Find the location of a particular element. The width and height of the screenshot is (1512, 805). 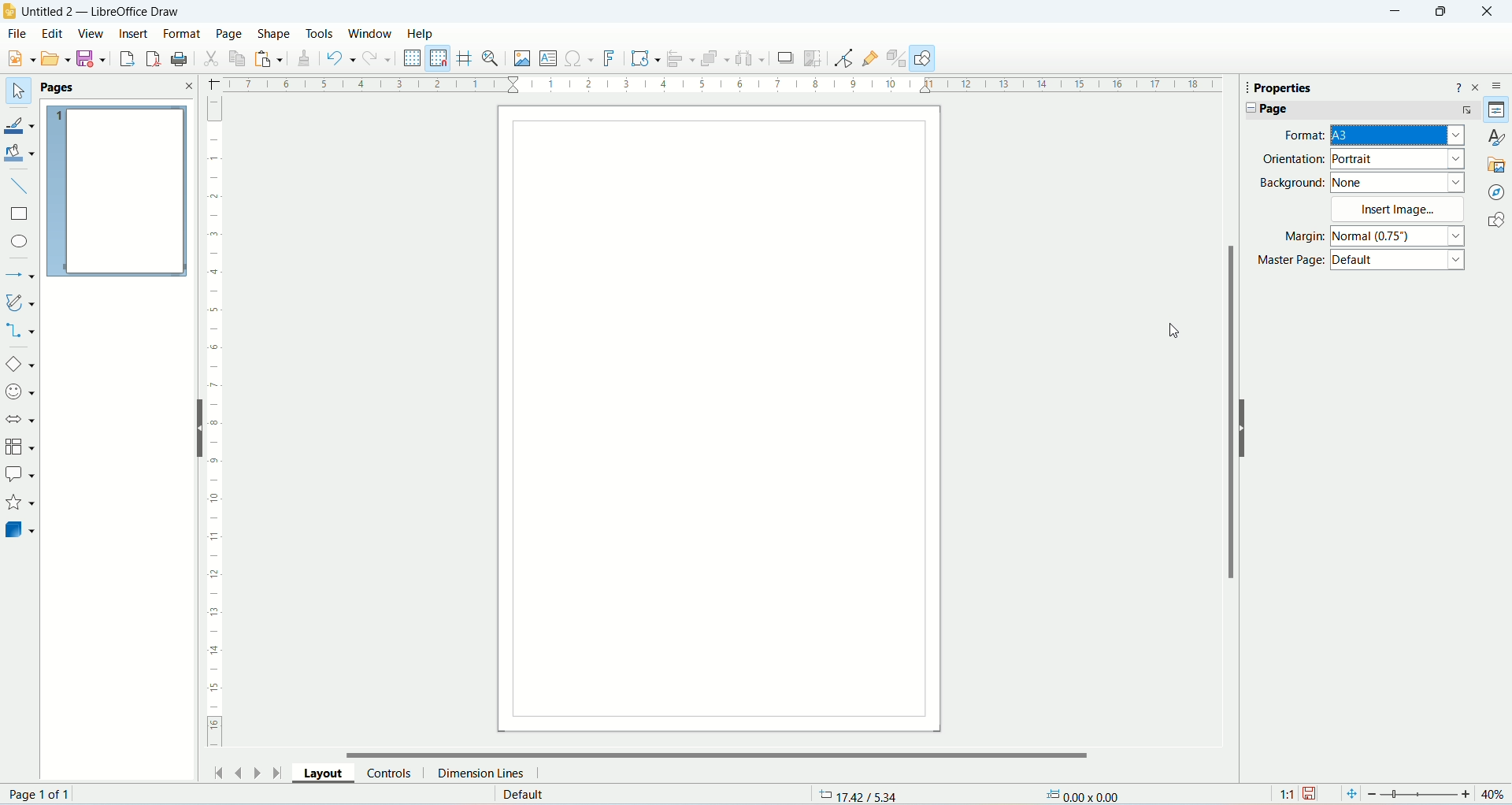

print is located at coordinates (180, 57).